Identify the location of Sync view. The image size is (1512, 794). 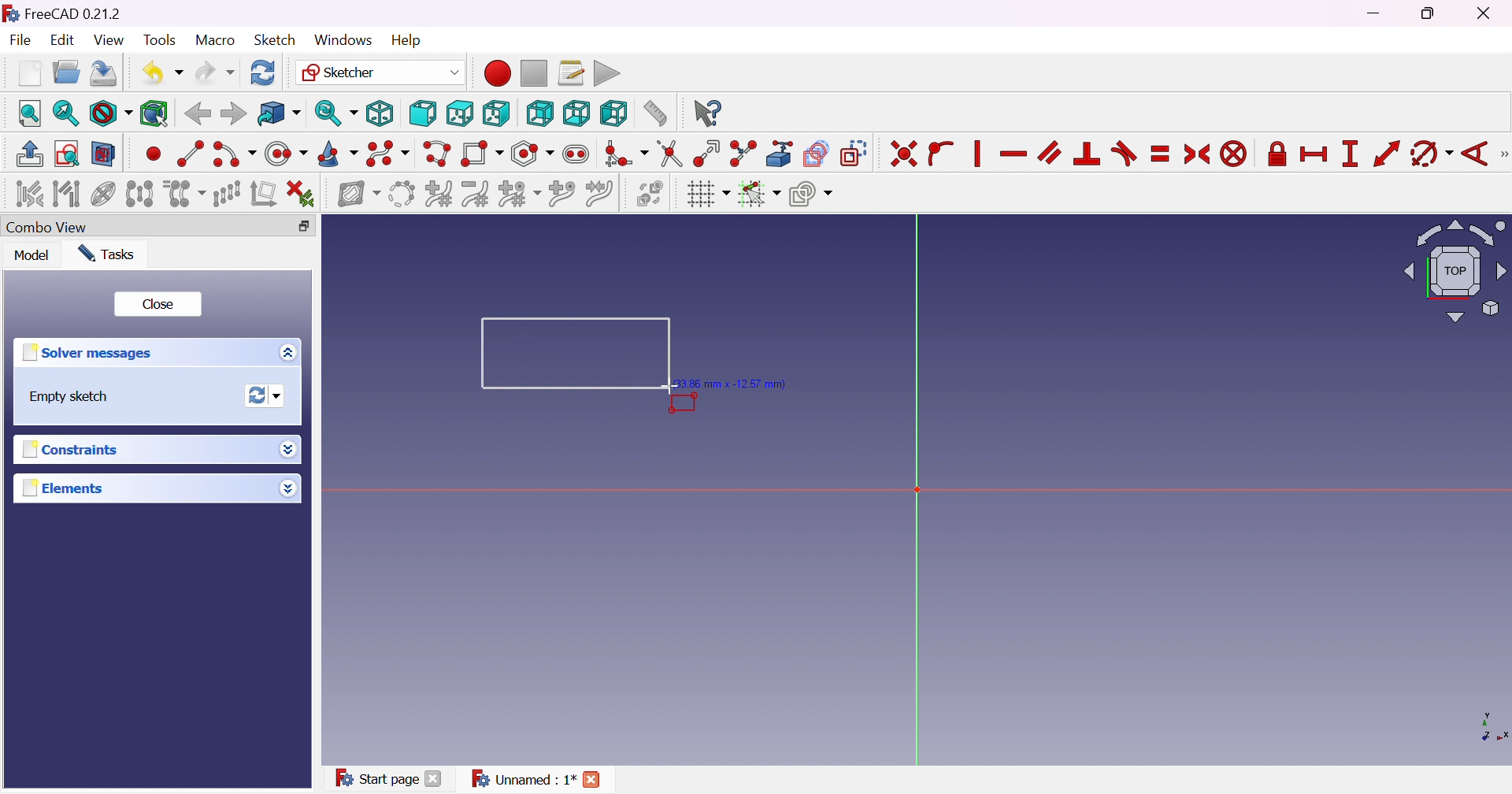
(336, 113).